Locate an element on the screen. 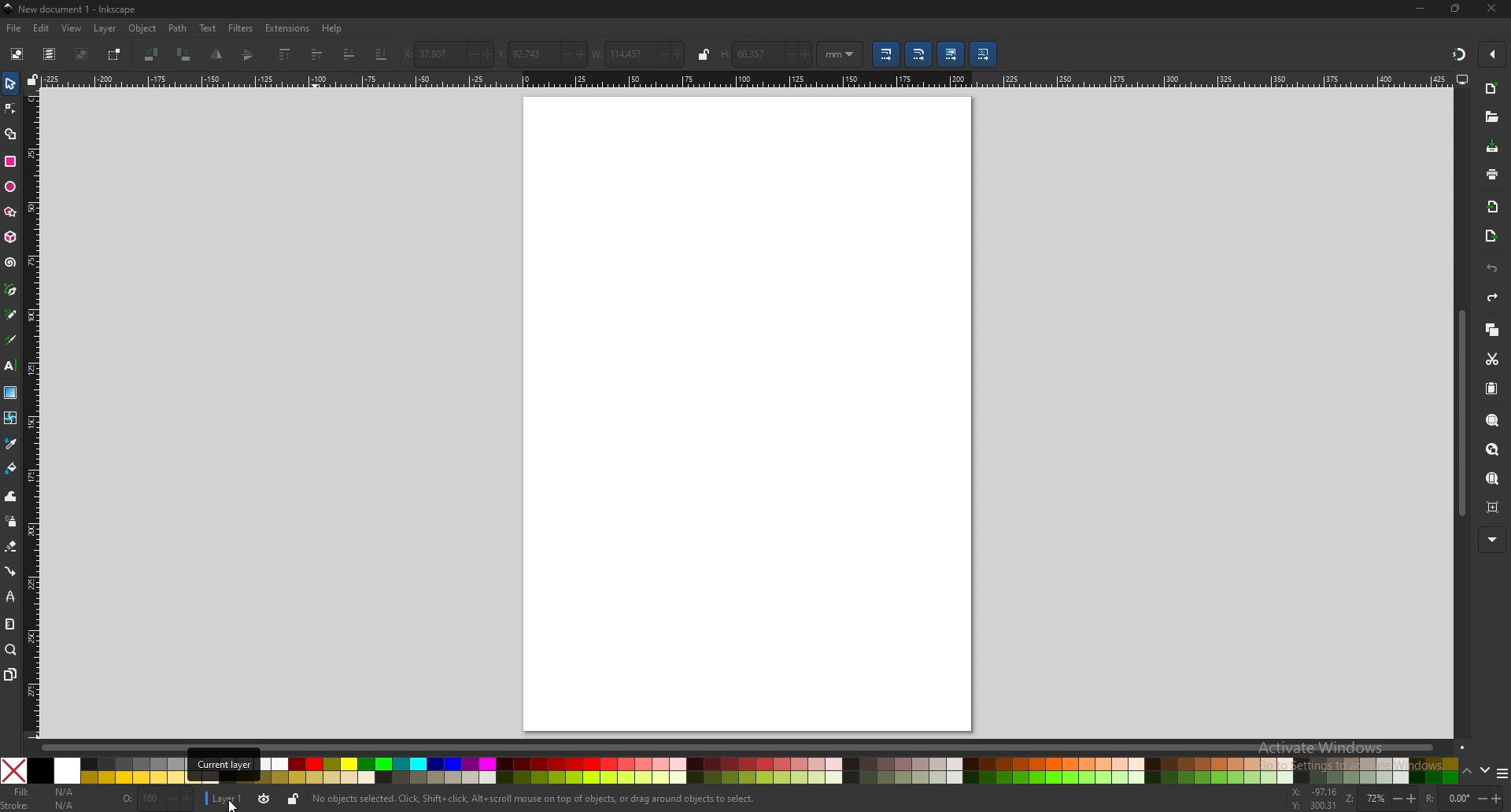 The image size is (1511, 812). unit is located at coordinates (841, 54).